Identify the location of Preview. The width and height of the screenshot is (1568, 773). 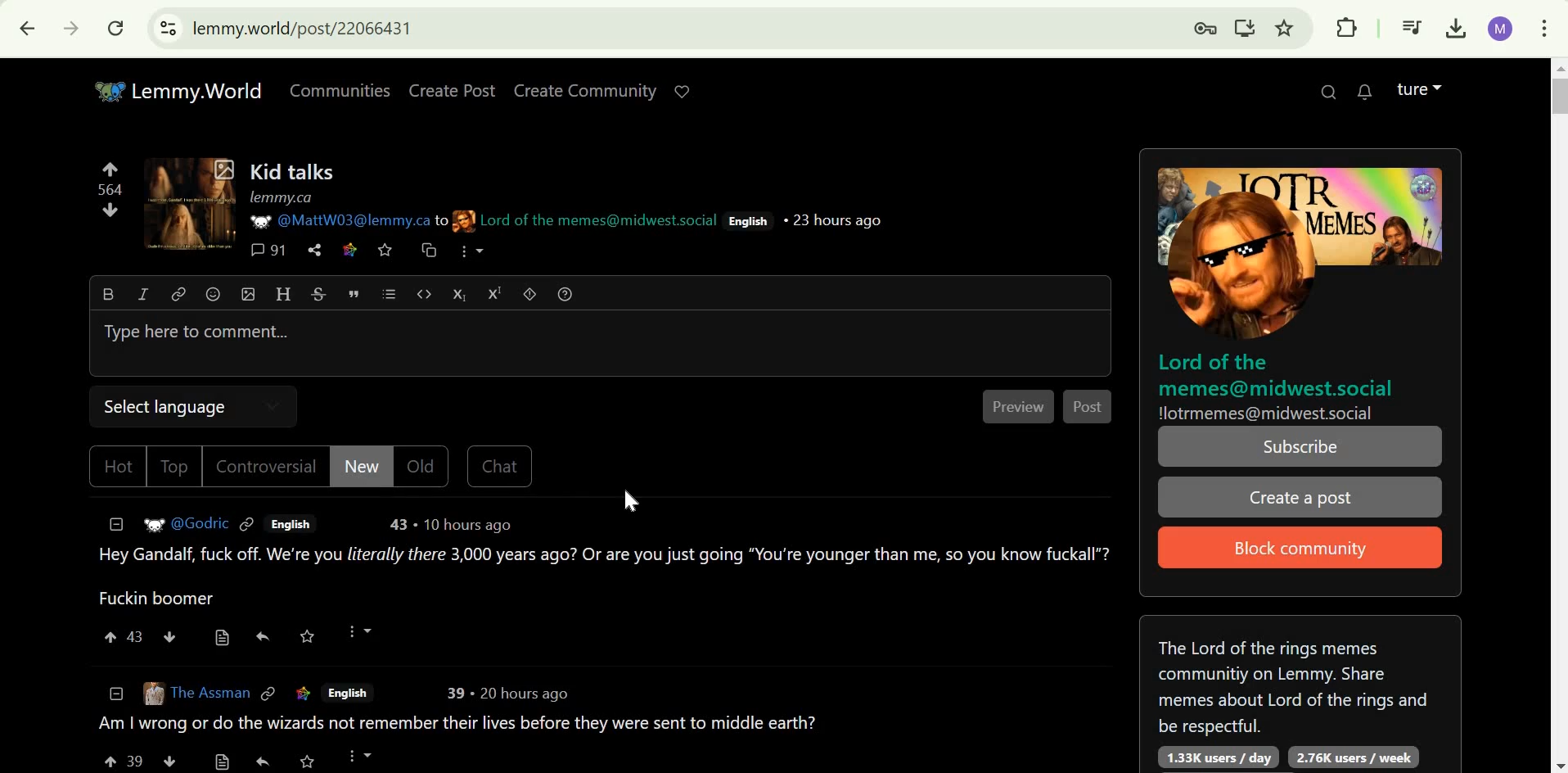
(1019, 408).